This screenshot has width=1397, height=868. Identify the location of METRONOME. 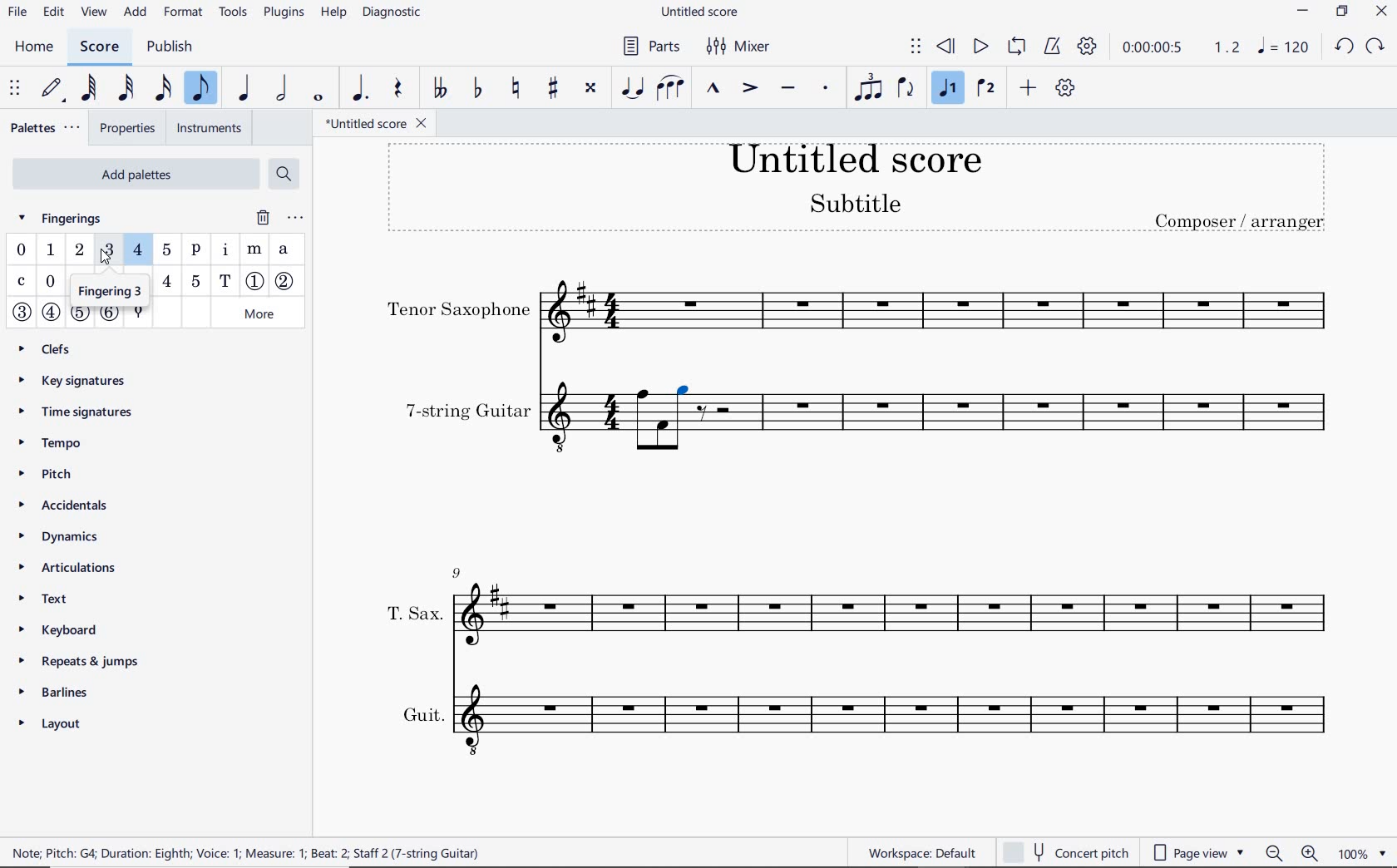
(1054, 47).